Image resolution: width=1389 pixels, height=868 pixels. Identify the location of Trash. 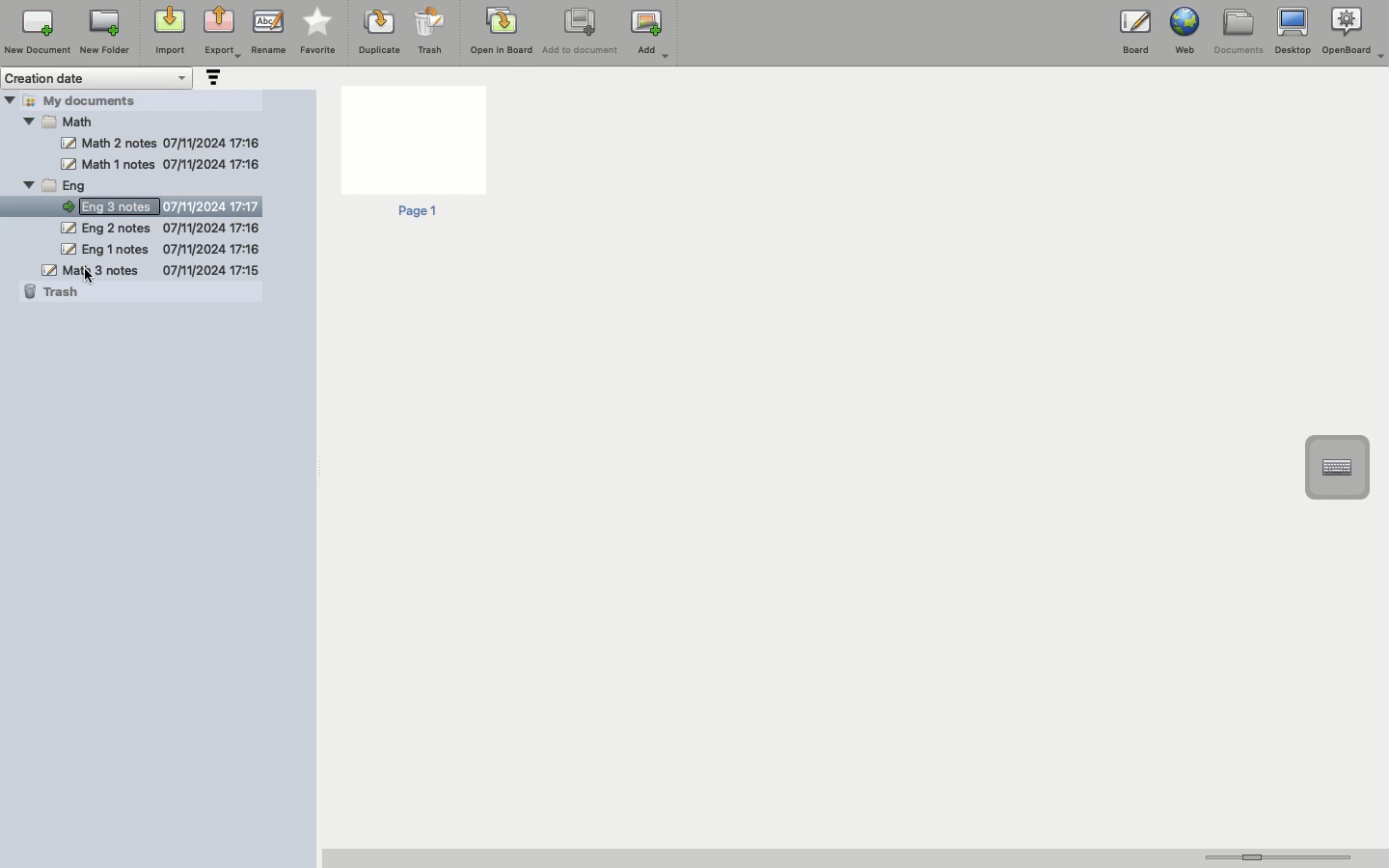
(430, 31).